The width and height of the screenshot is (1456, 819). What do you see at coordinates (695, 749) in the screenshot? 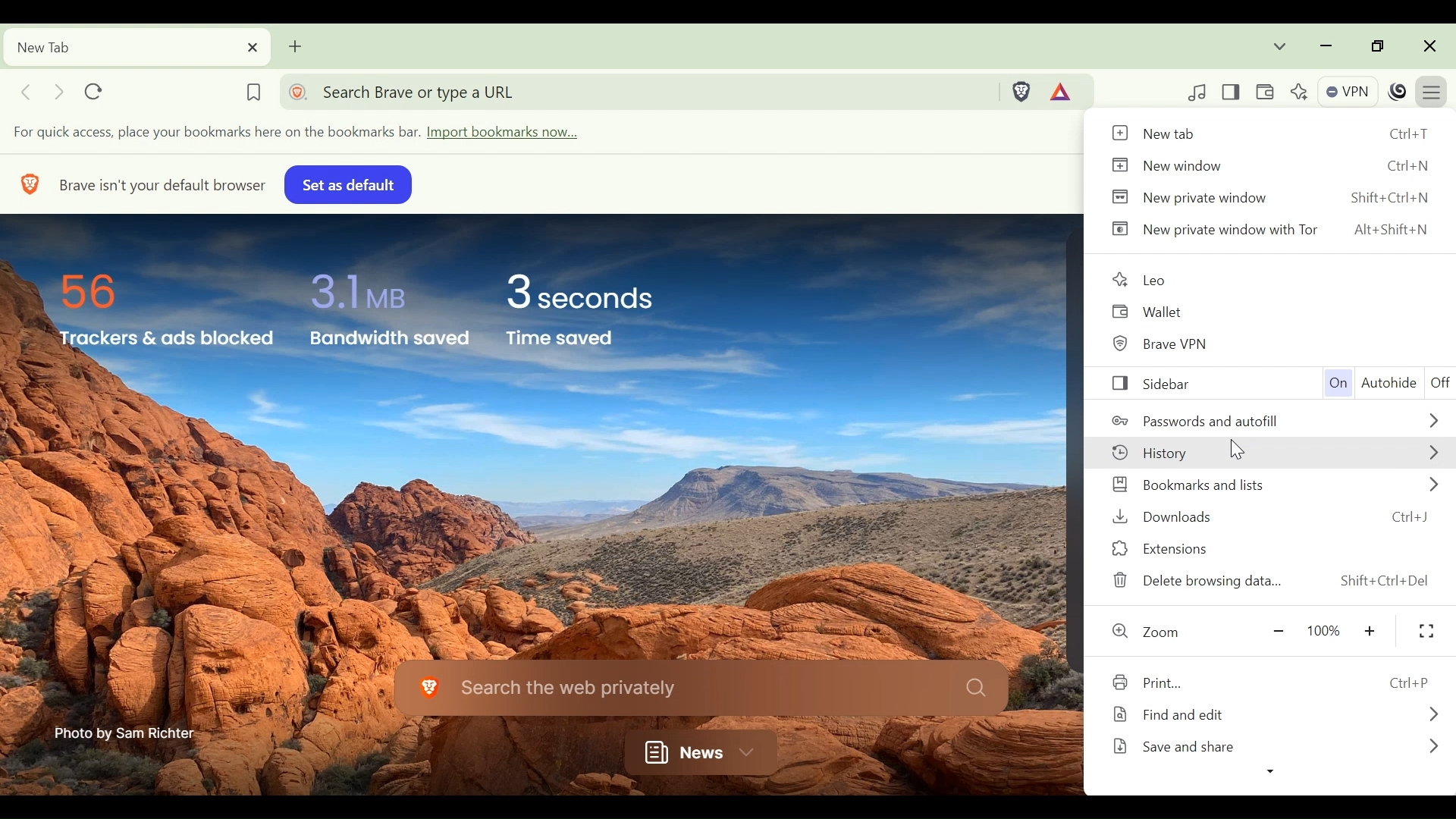
I see `News` at bounding box center [695, 749].